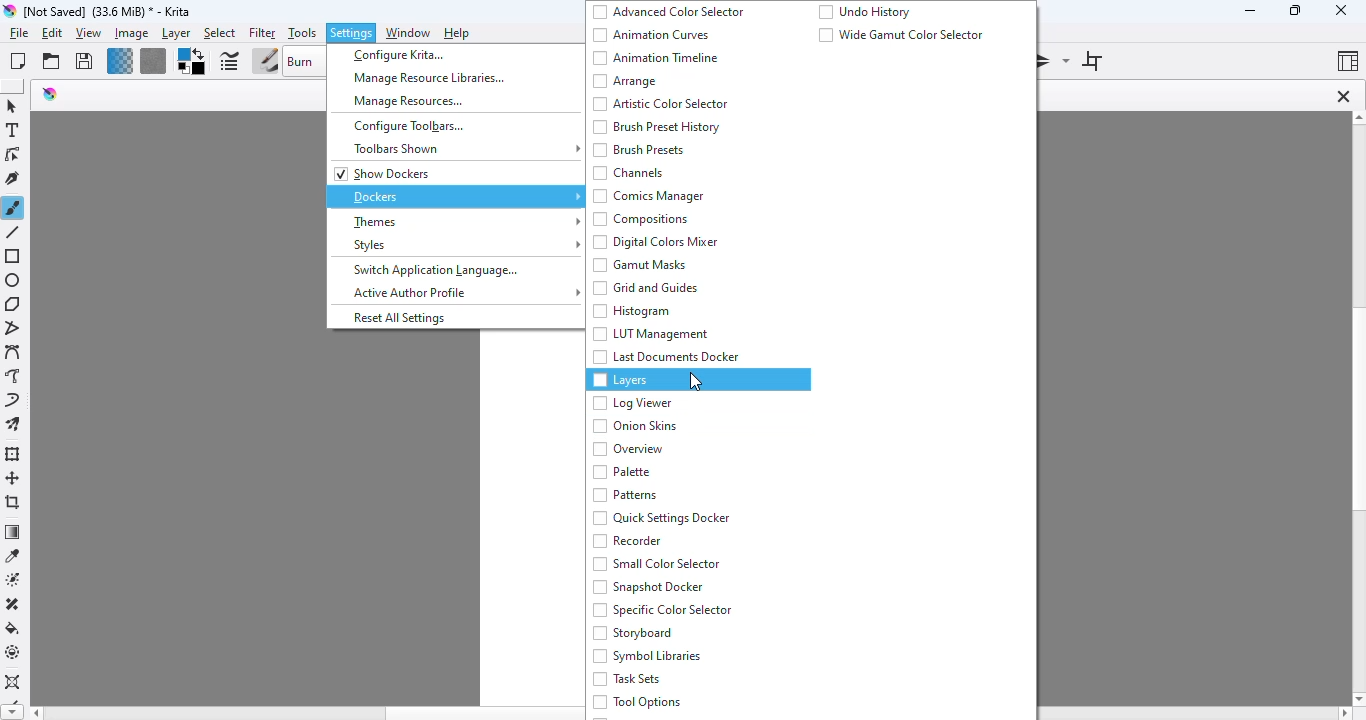 The height and width of the screenshot is (720, 1366). What do you see at coordinates (15, 579) in the screenshot?
I see `colorize mask tool` at bounding box center [15, 579].